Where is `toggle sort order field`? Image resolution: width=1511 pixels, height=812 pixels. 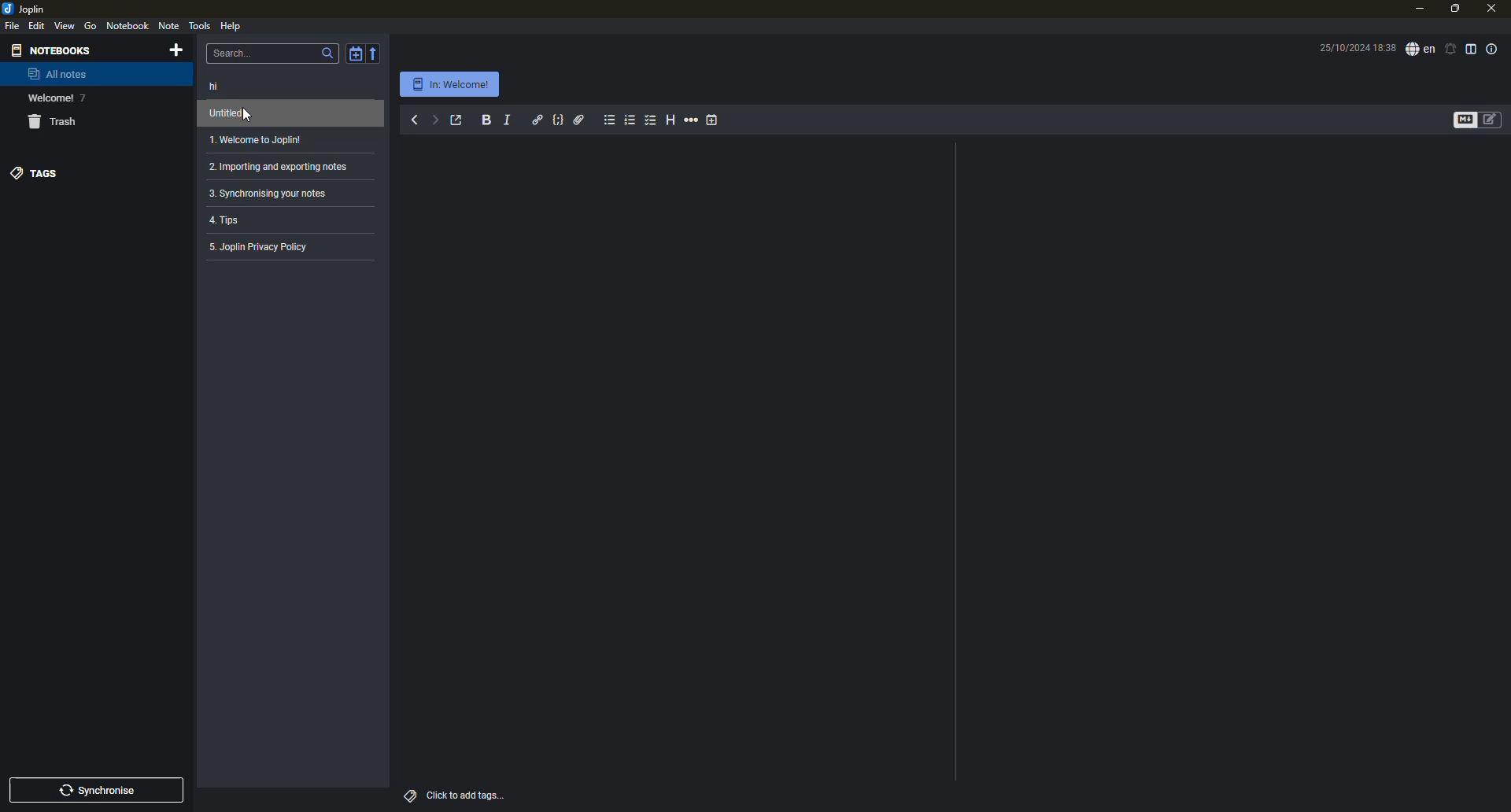
toggle sort order field is located at coordinates (353, 52).